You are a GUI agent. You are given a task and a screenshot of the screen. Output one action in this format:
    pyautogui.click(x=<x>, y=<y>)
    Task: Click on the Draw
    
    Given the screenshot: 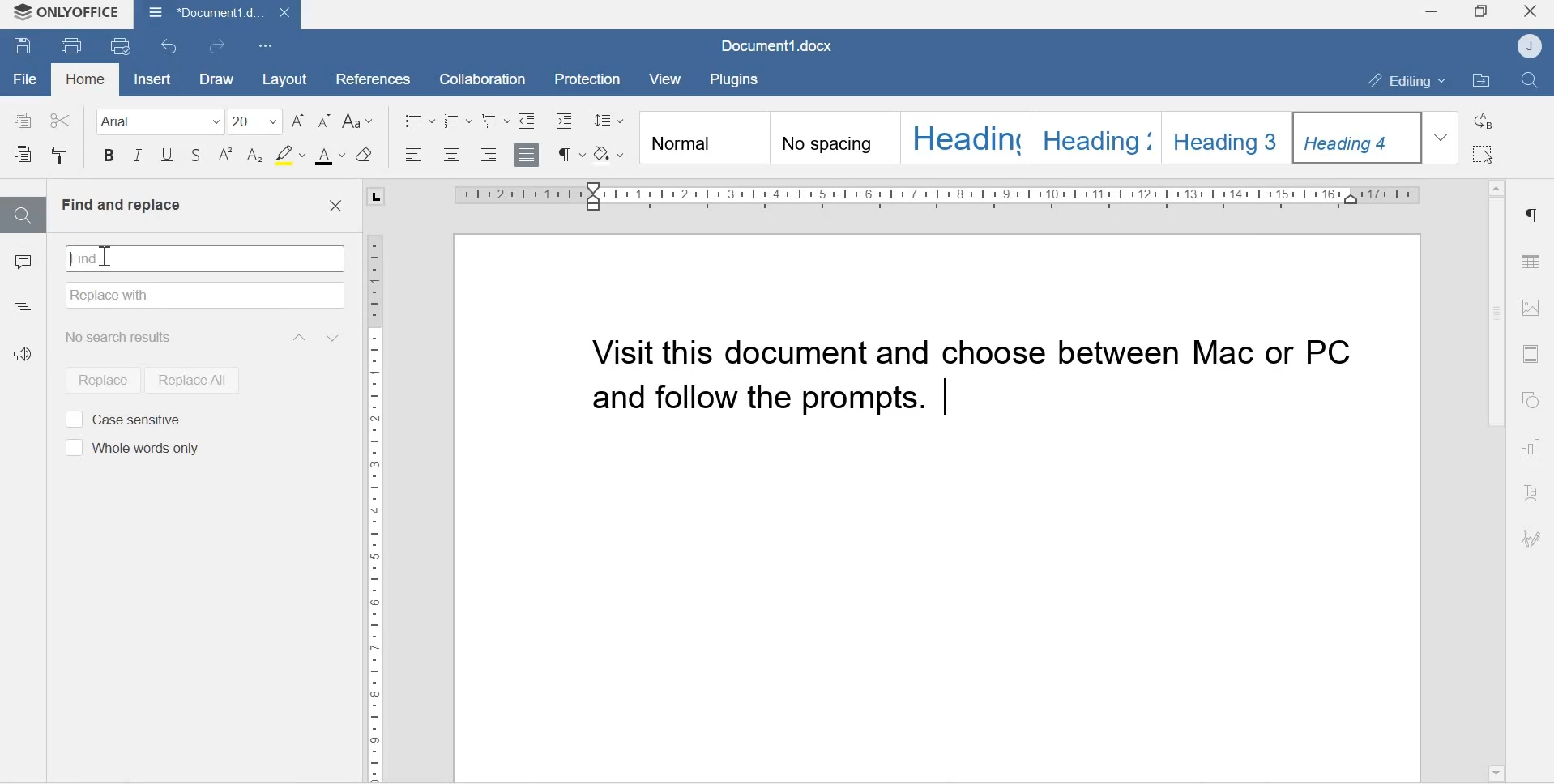 What is the action you would take?
    pyautogui.click(x=214, y=79)
    